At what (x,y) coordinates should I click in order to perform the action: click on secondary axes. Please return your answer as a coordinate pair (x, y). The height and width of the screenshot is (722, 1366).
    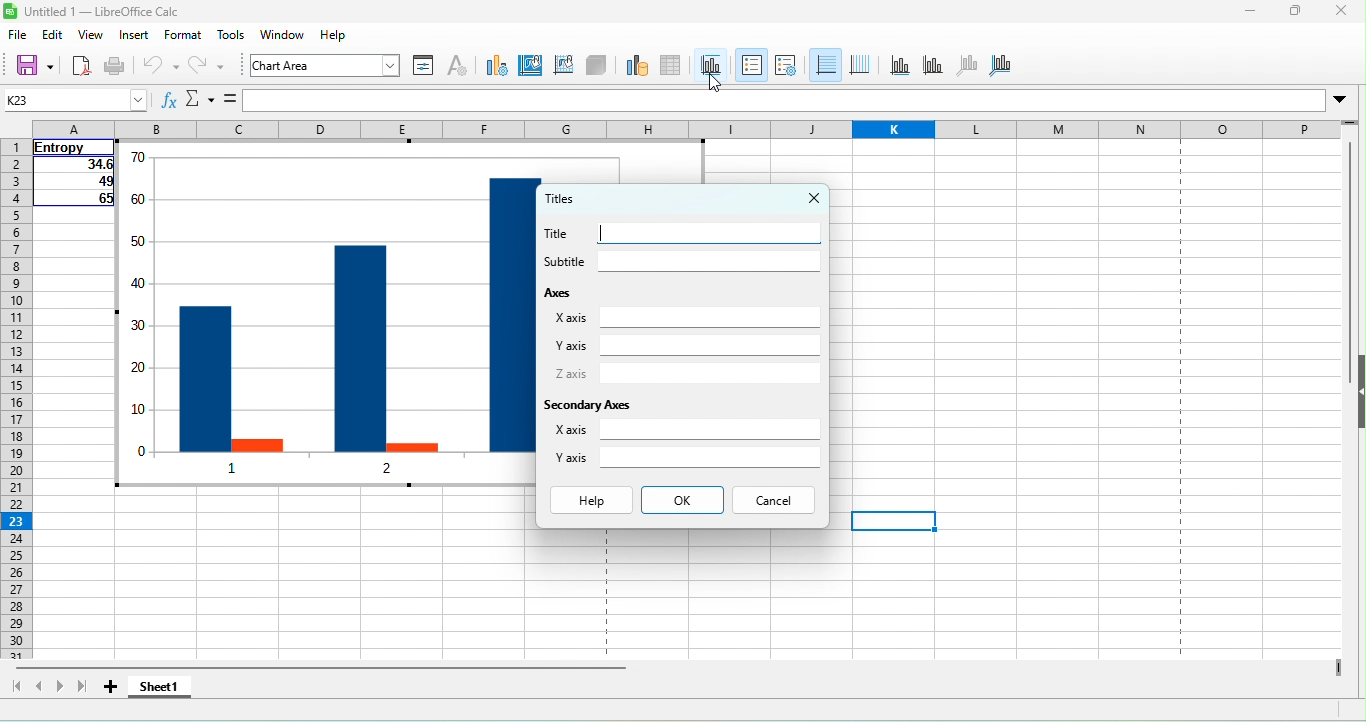
    Looking at the image, I should click on (617, 403).